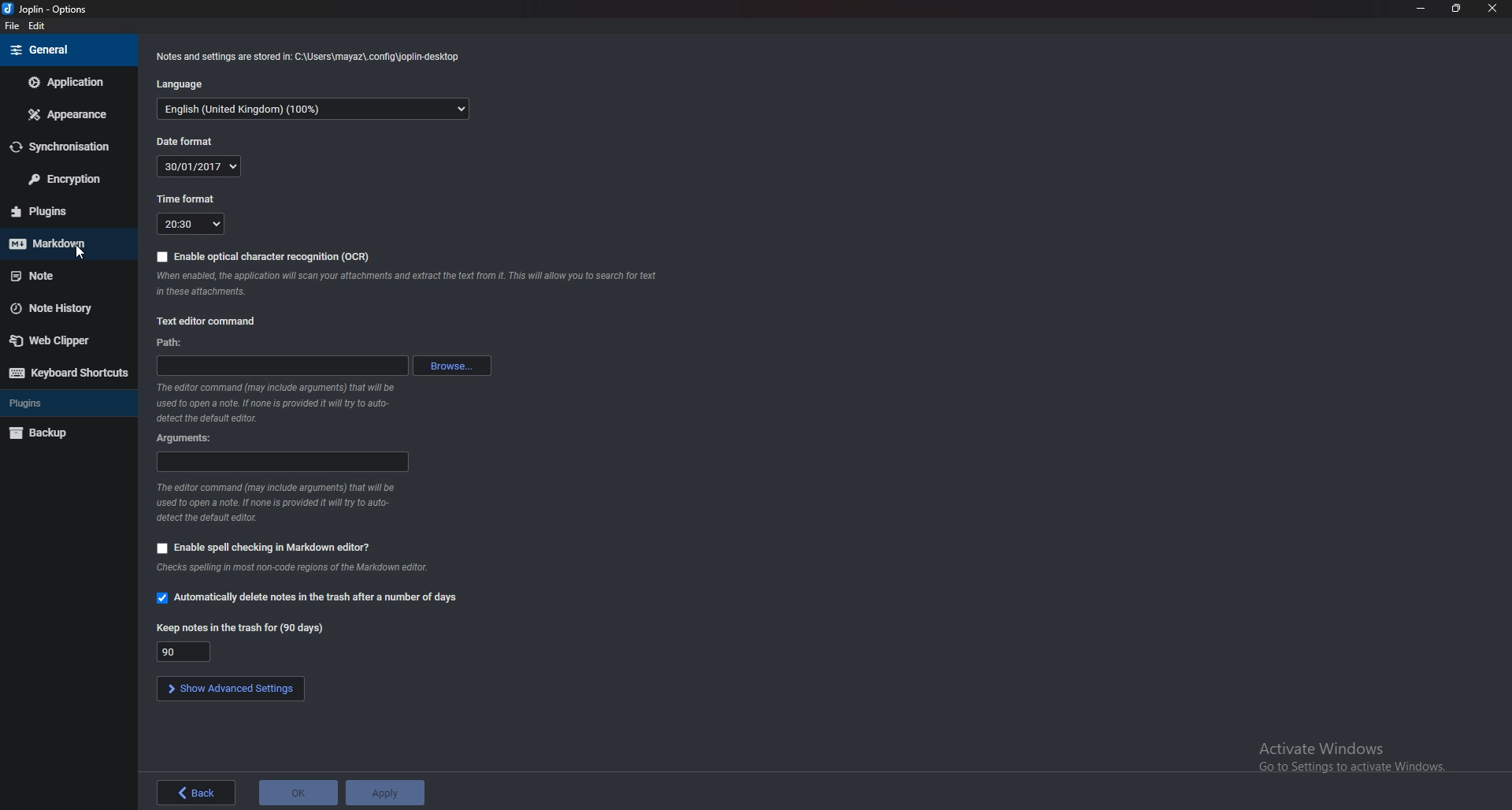  I want to click on Date format, so click(184, 140).